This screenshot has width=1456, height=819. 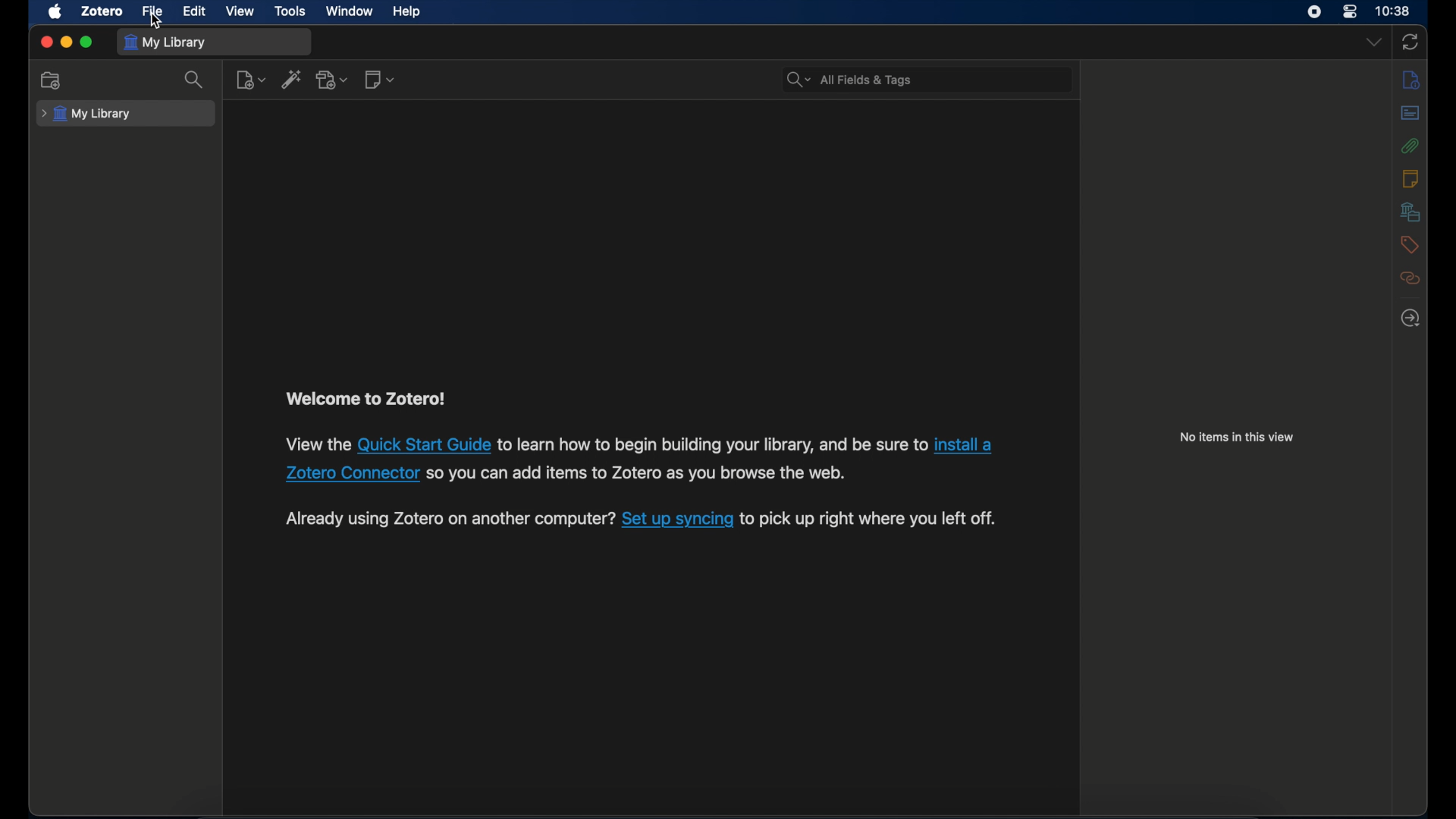 I want to click on so you can add items to Zotero as you browse the web, so click(x=646, y=475).